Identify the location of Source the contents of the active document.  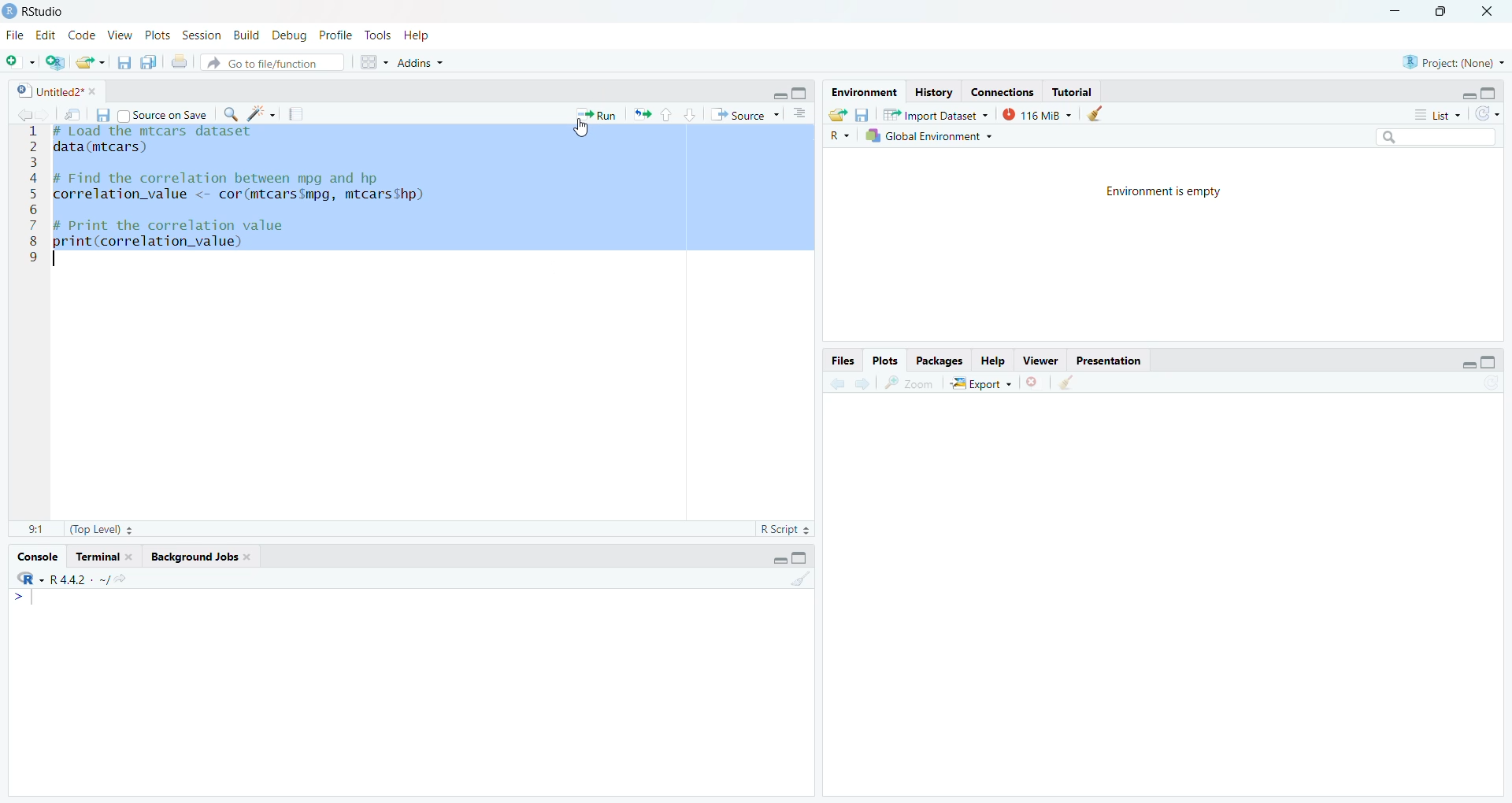
(745, 114).